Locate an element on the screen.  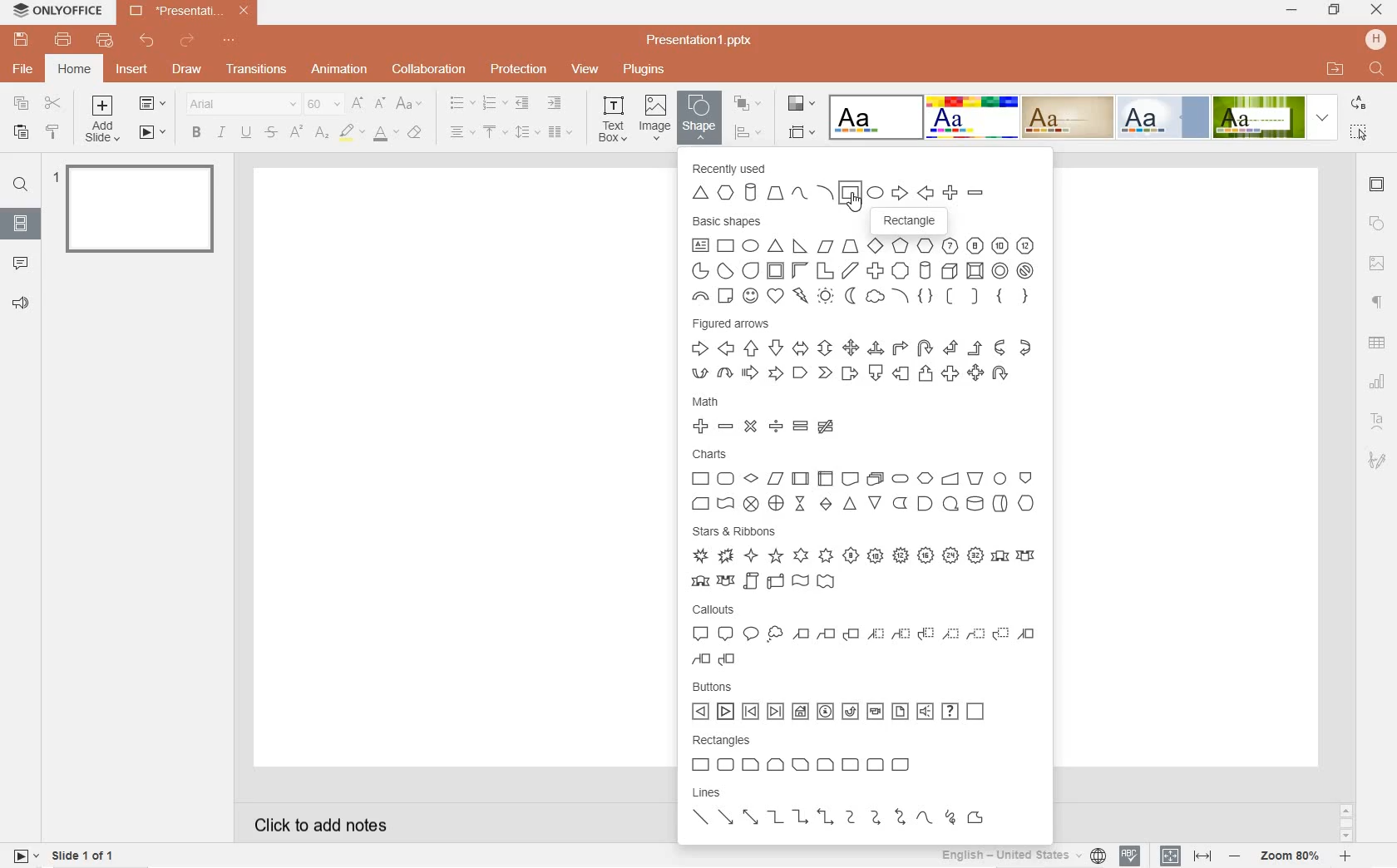
decrease indent is located at coordinates (521, 104).